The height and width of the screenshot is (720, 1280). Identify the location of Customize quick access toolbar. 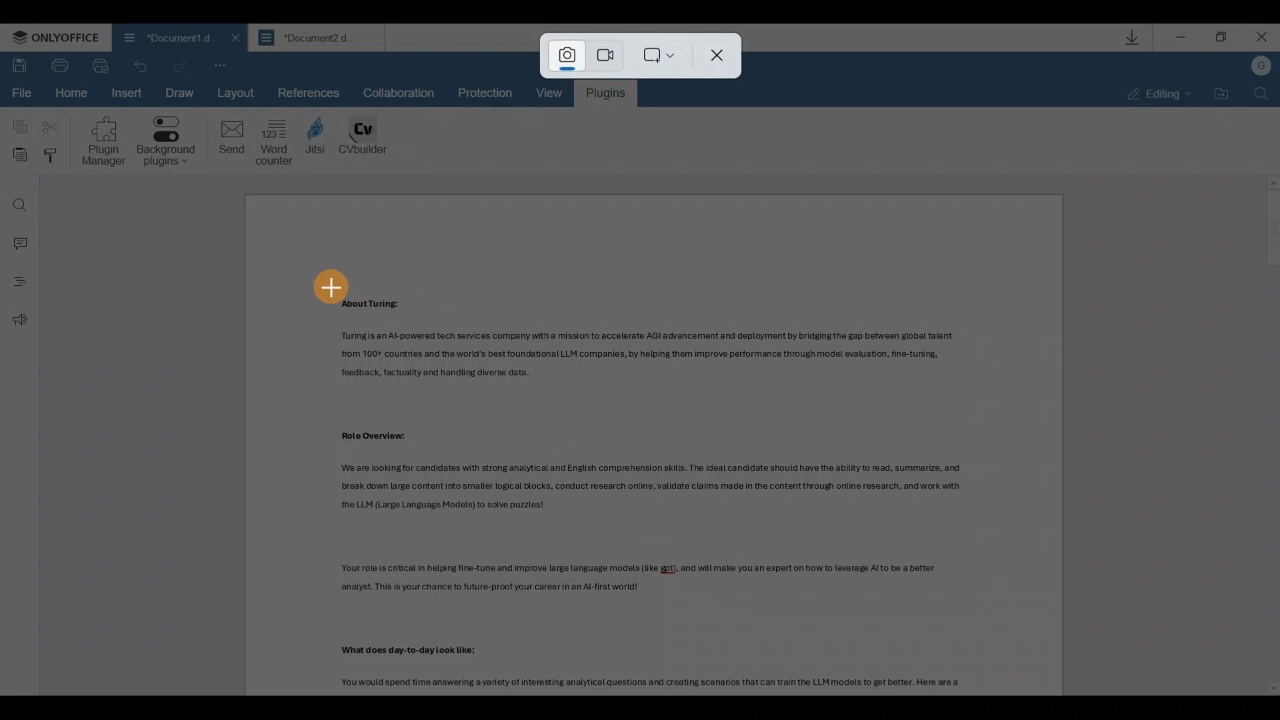
(221, 66).